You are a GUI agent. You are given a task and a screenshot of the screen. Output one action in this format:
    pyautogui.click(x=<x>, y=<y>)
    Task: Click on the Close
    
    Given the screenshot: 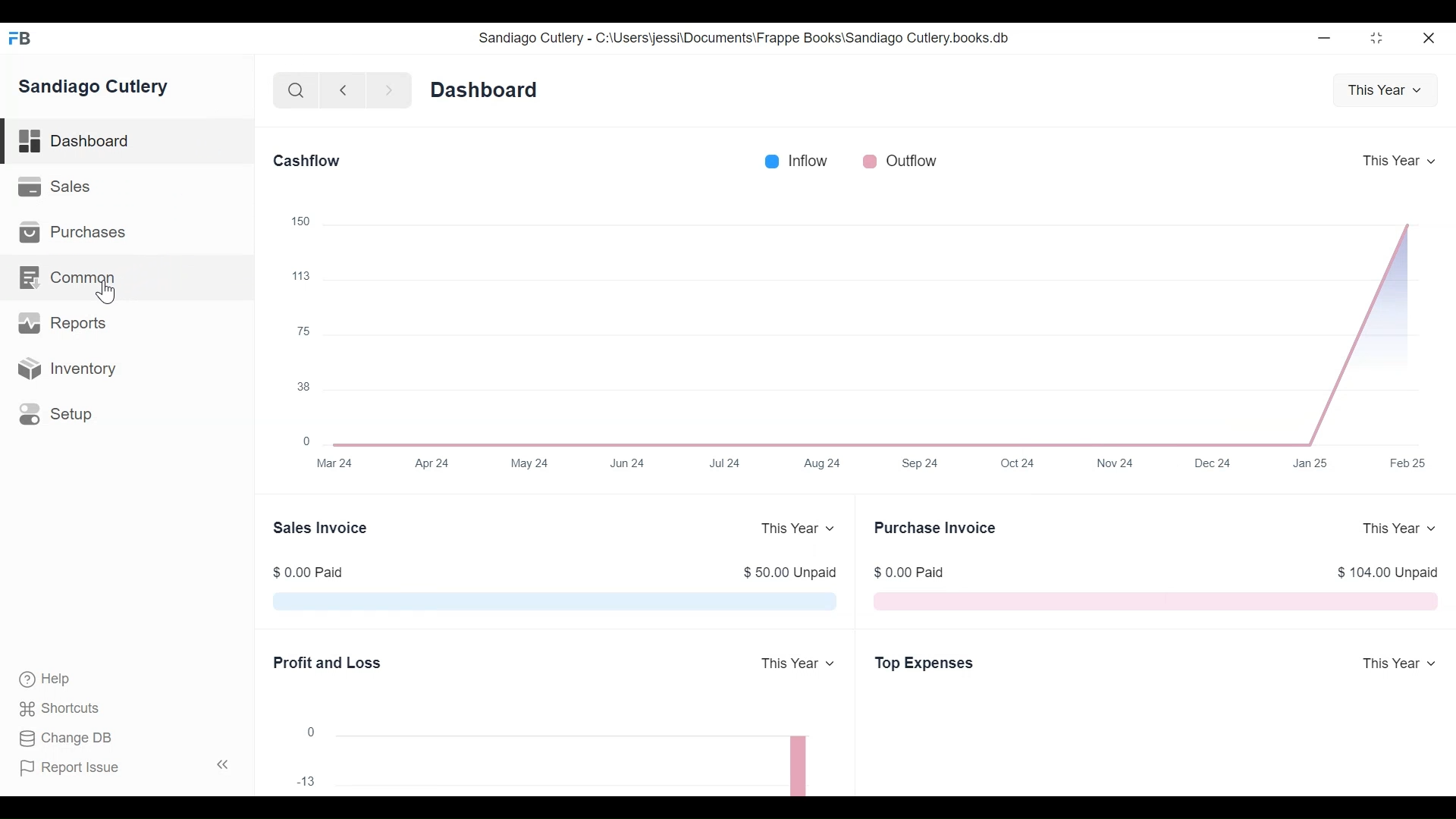 What is the action you would take?
    pyautogui.click(x=1427, y=39)
    